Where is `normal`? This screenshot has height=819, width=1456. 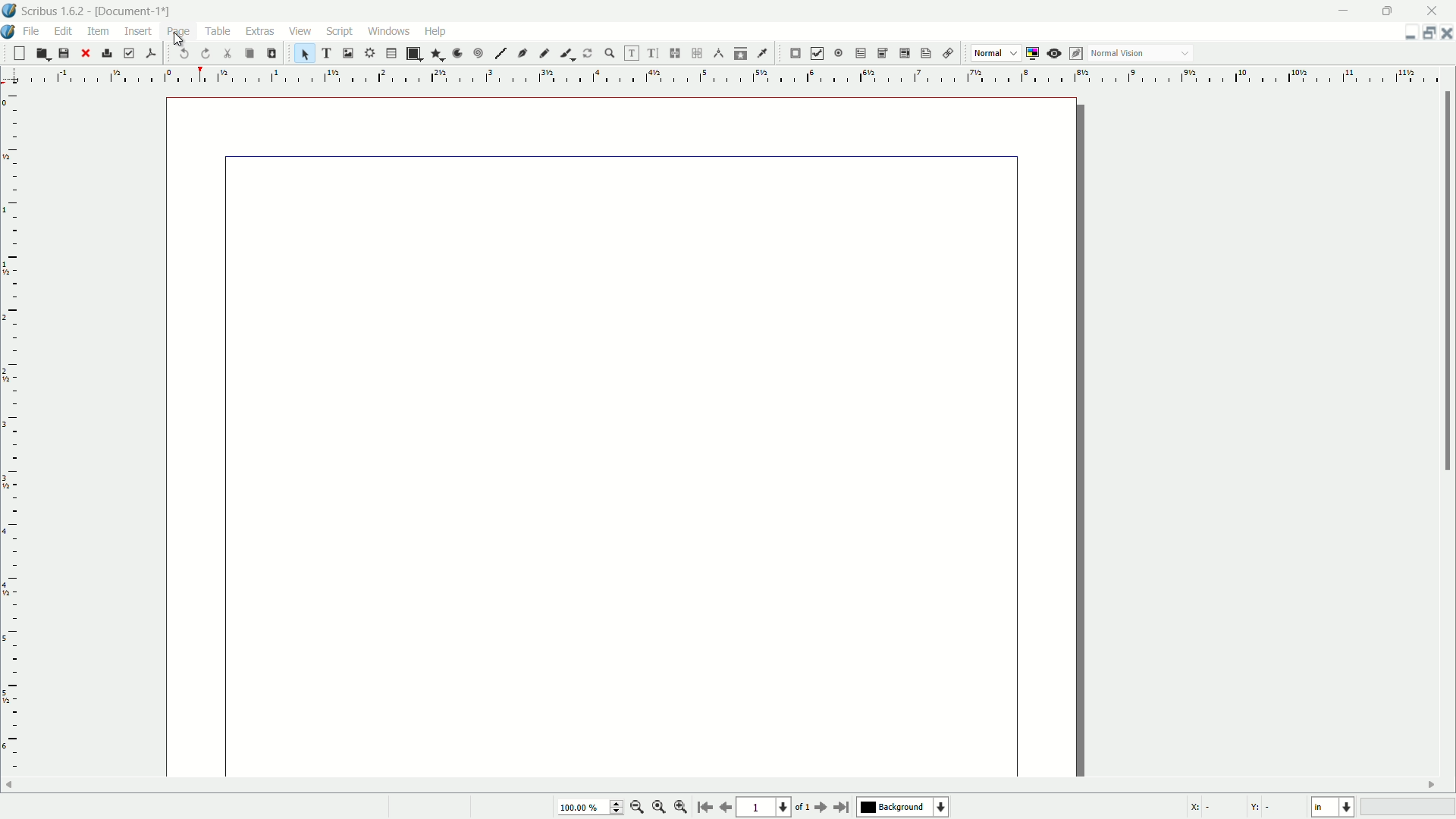
normal is located at coordinates (987, 52).